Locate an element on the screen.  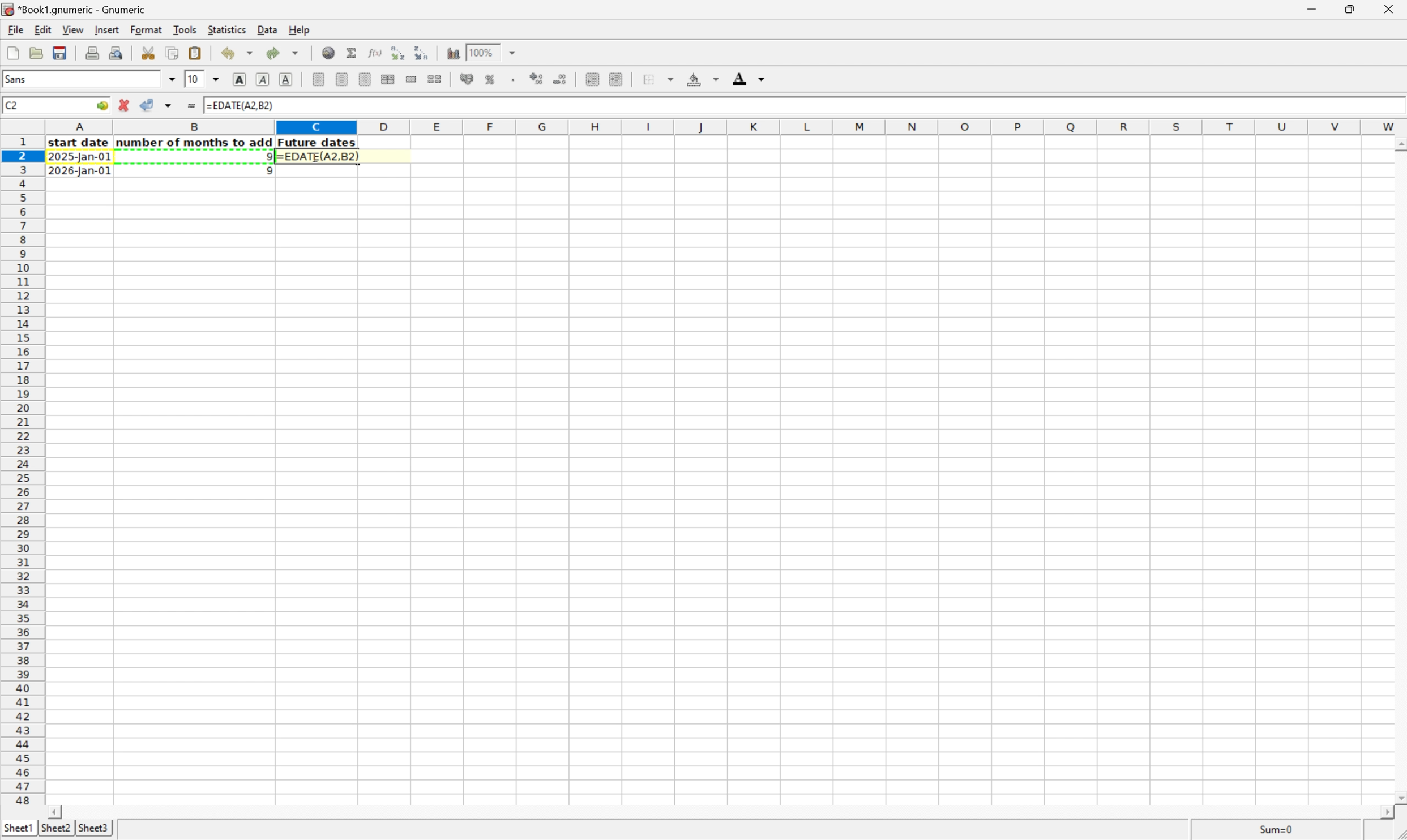
Merge a range of cells is located at coordinates (409, 78).